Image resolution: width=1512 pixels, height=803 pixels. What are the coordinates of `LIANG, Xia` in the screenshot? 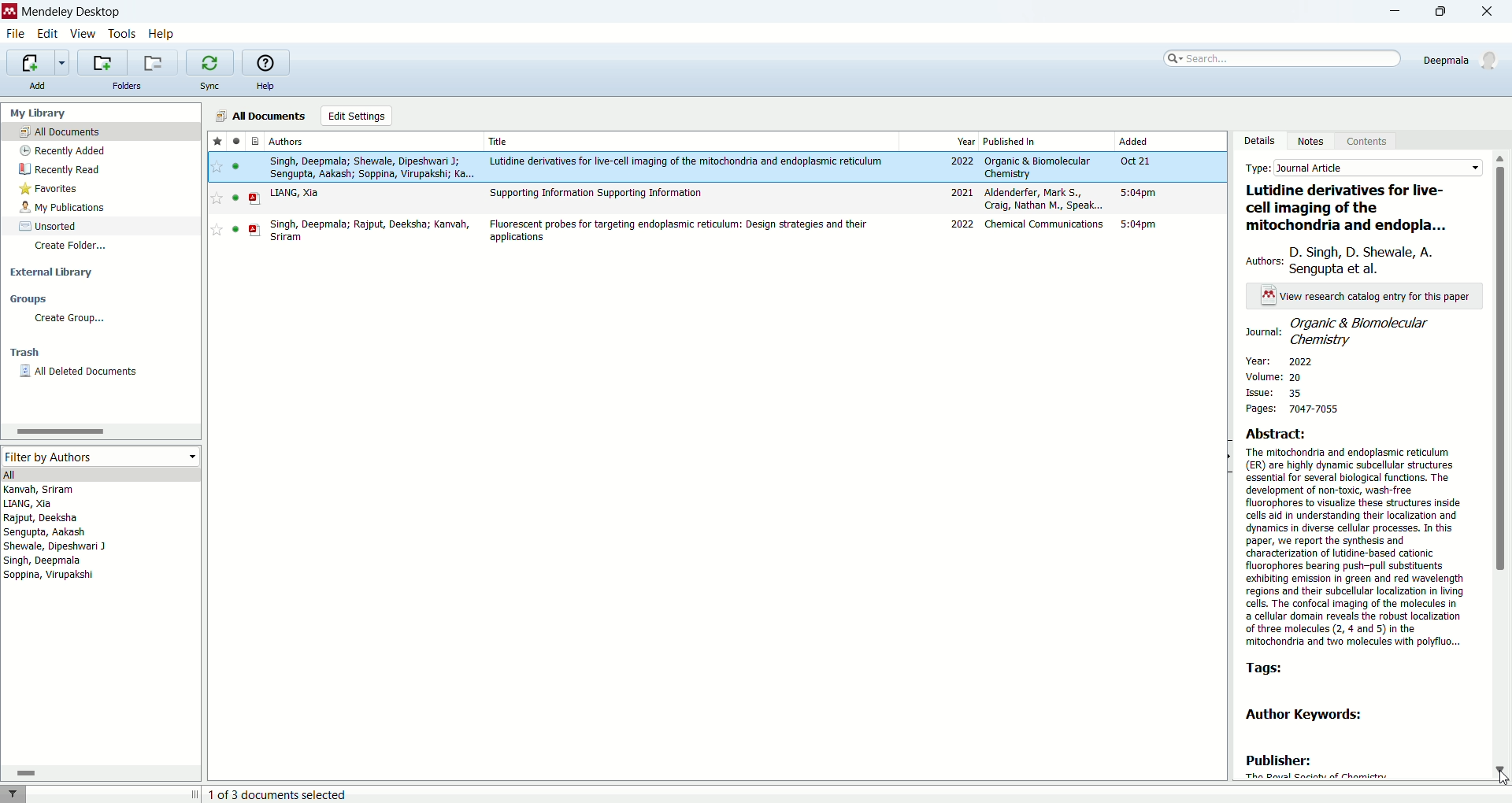 It's located at (295, 193).